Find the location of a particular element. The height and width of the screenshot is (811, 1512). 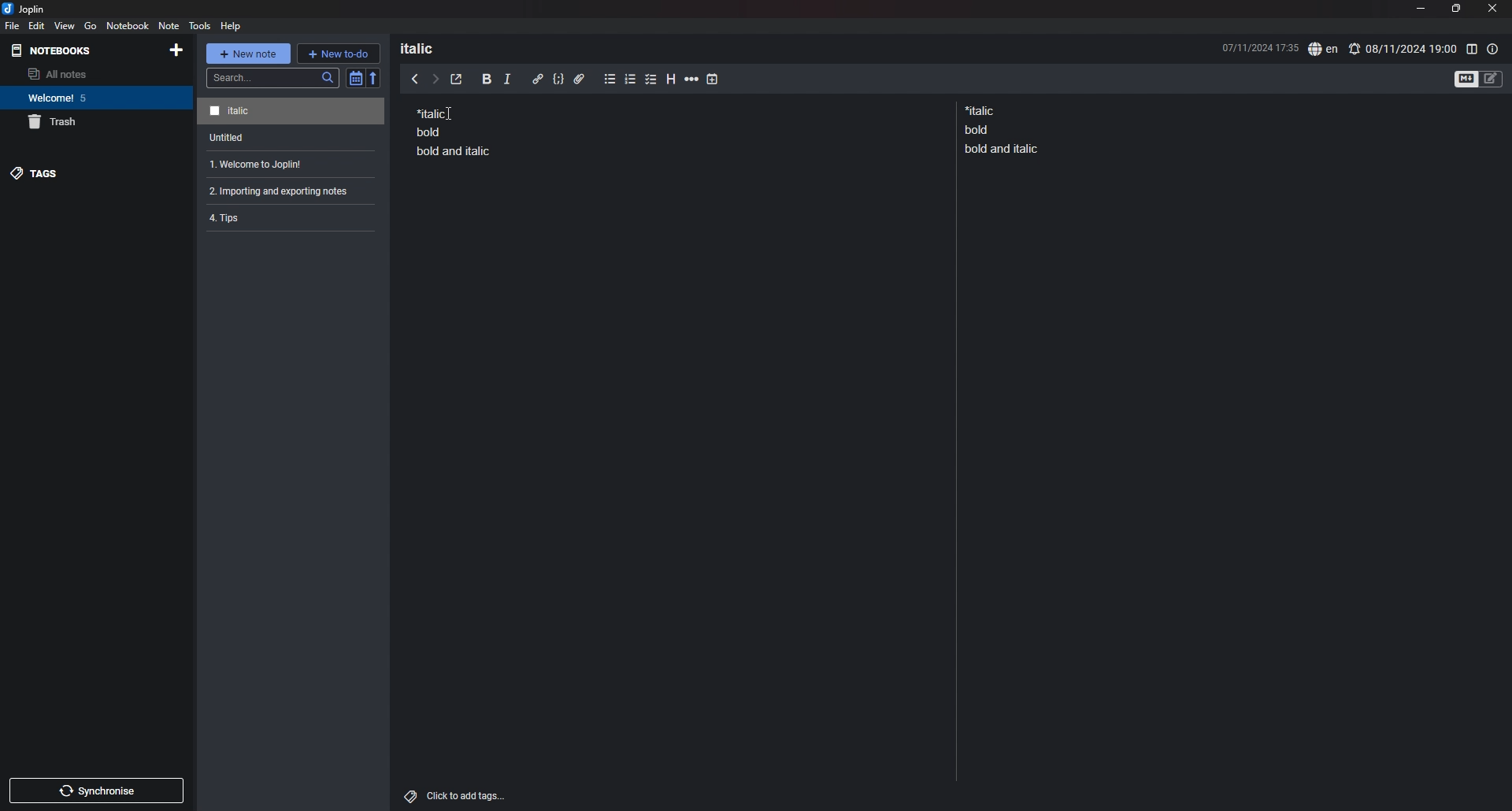

sync is located at coordinates (98, 791).